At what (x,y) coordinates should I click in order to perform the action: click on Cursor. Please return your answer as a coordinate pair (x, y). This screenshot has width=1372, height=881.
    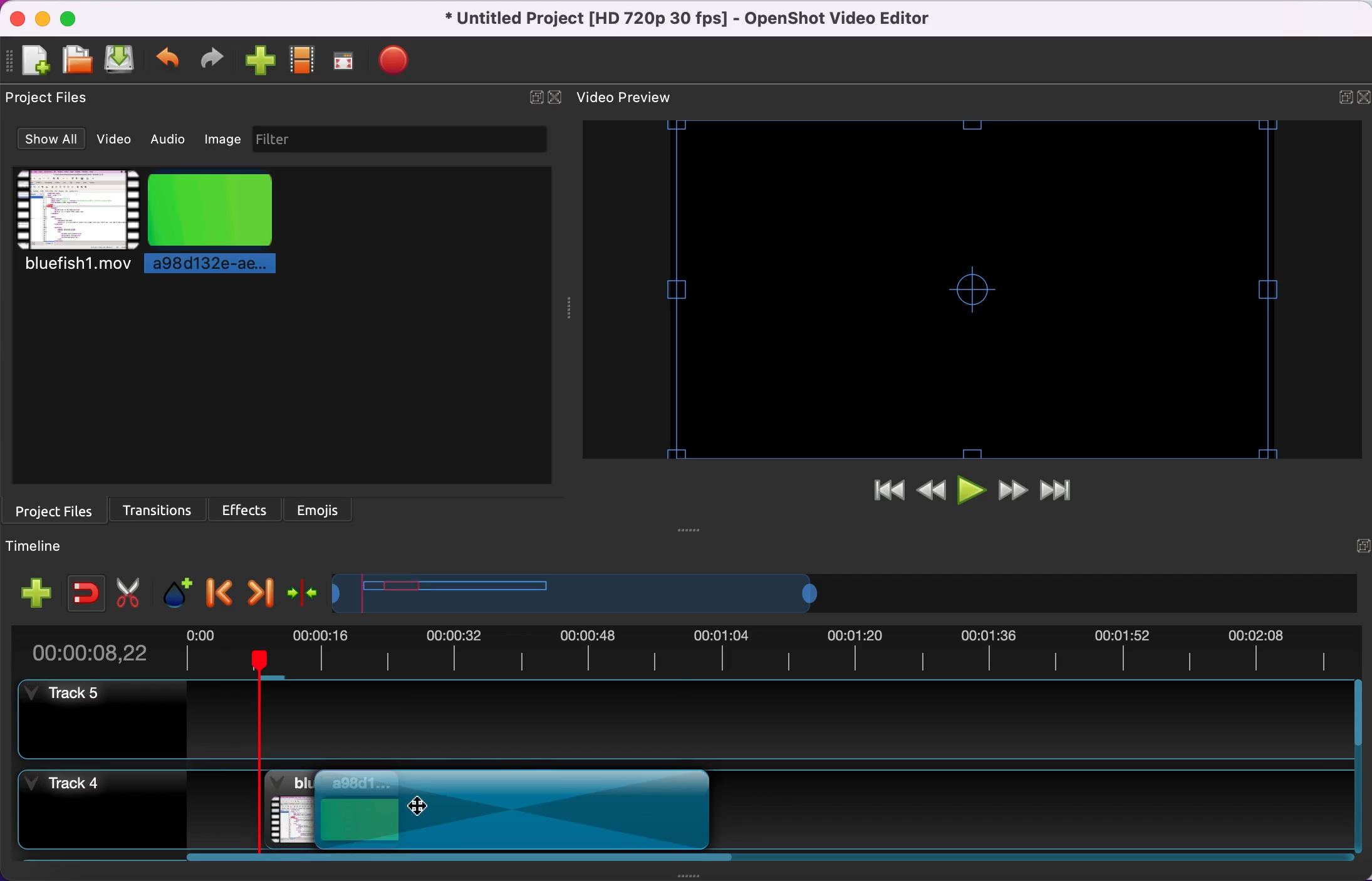
    Looking at the image, I should click on (417, 804).